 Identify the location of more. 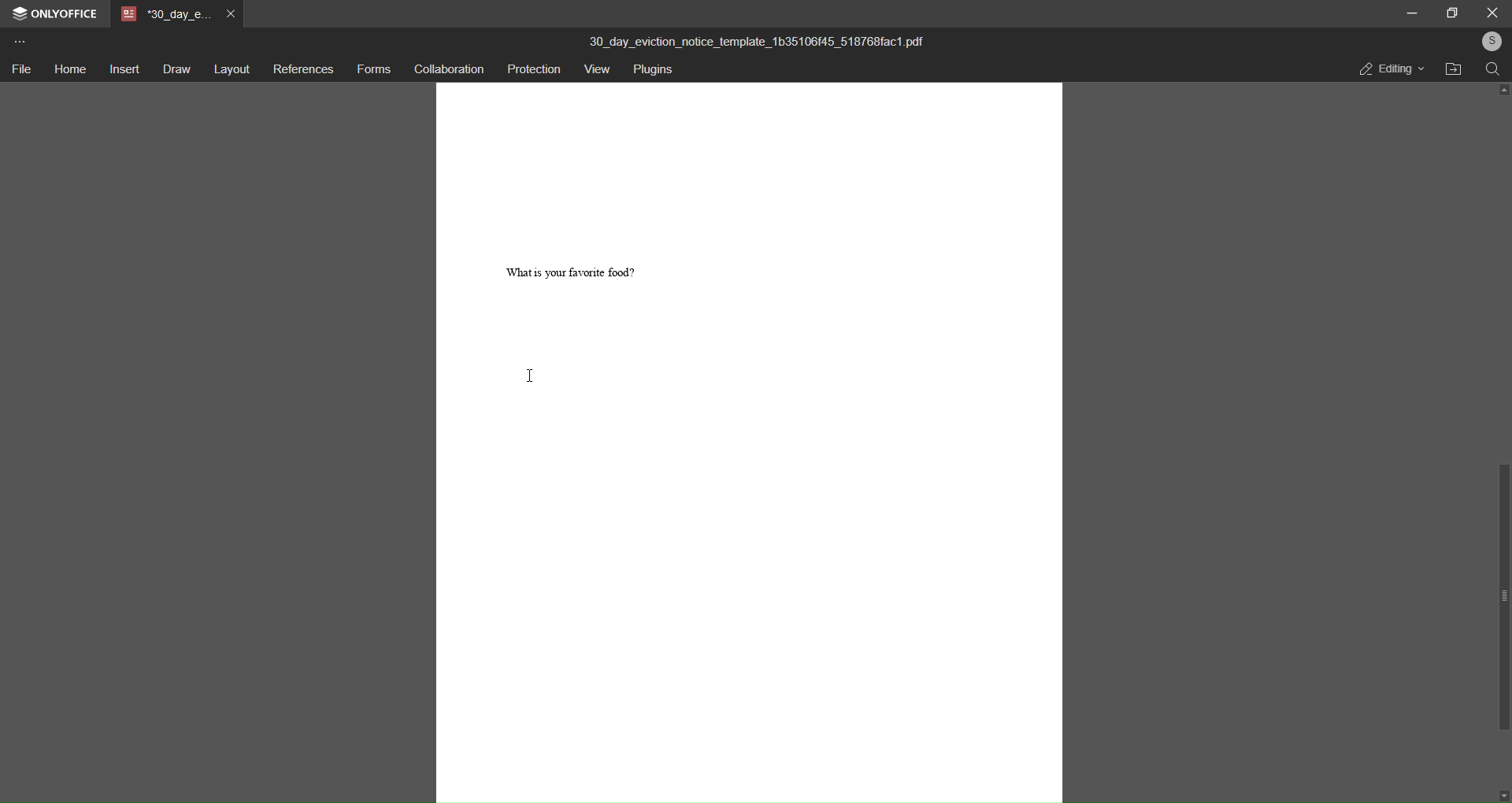
(19, 44).